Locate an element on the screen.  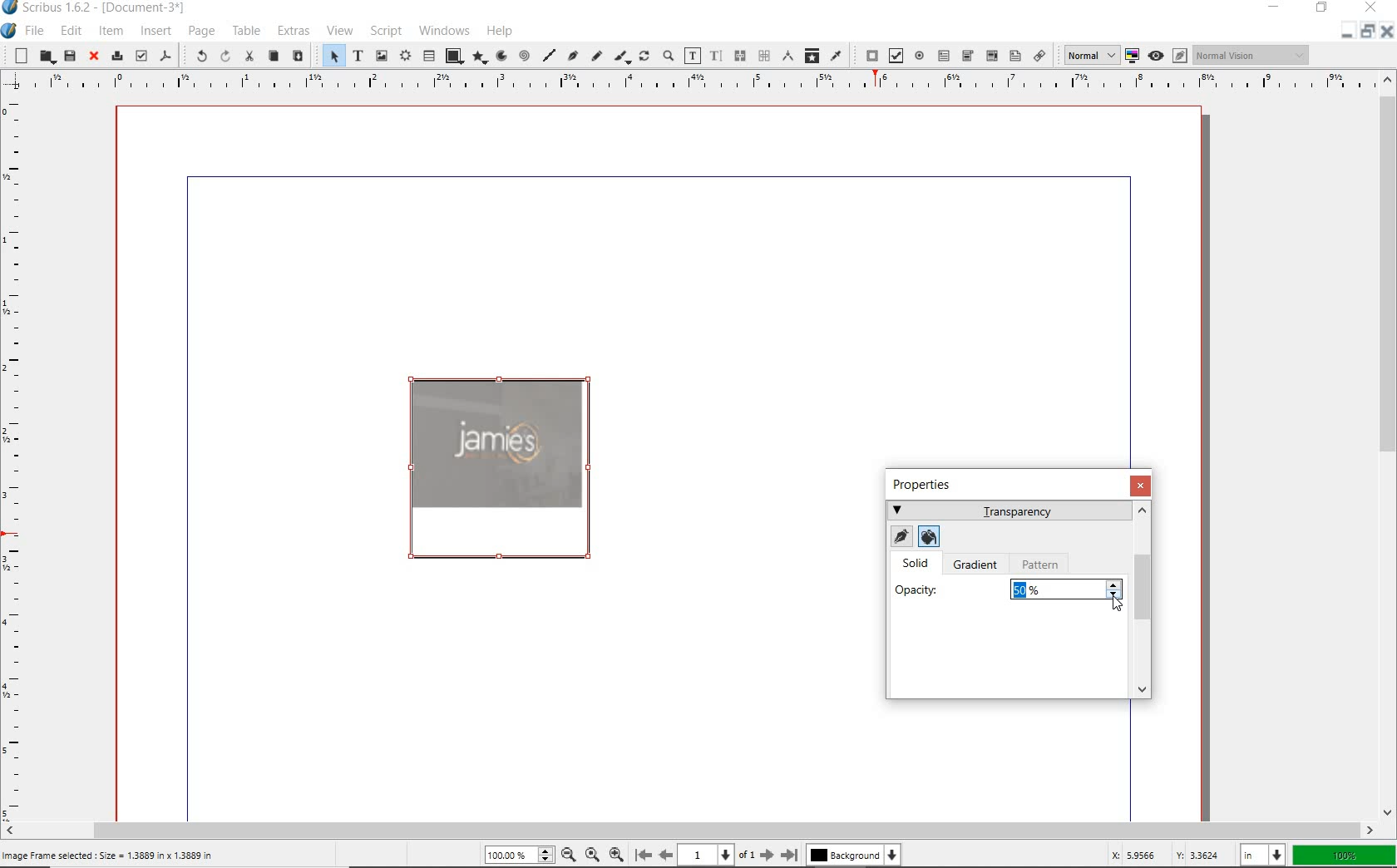
PATTERN is located at coordinates (1044, 565).